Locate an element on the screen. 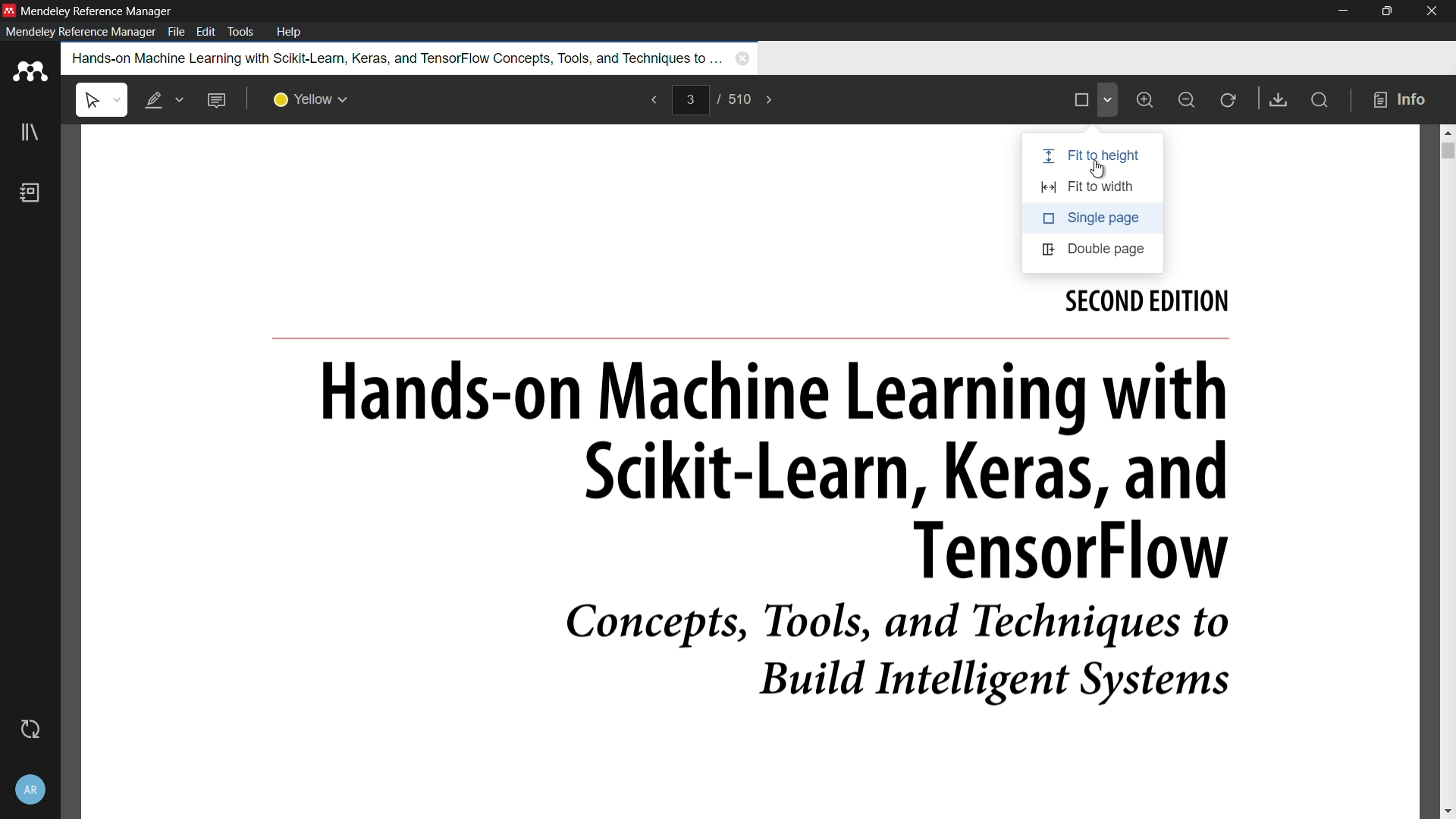 Image resolution: width=1456 pixels, height=819 pixels. app icon is located at coordinates (30, 73).